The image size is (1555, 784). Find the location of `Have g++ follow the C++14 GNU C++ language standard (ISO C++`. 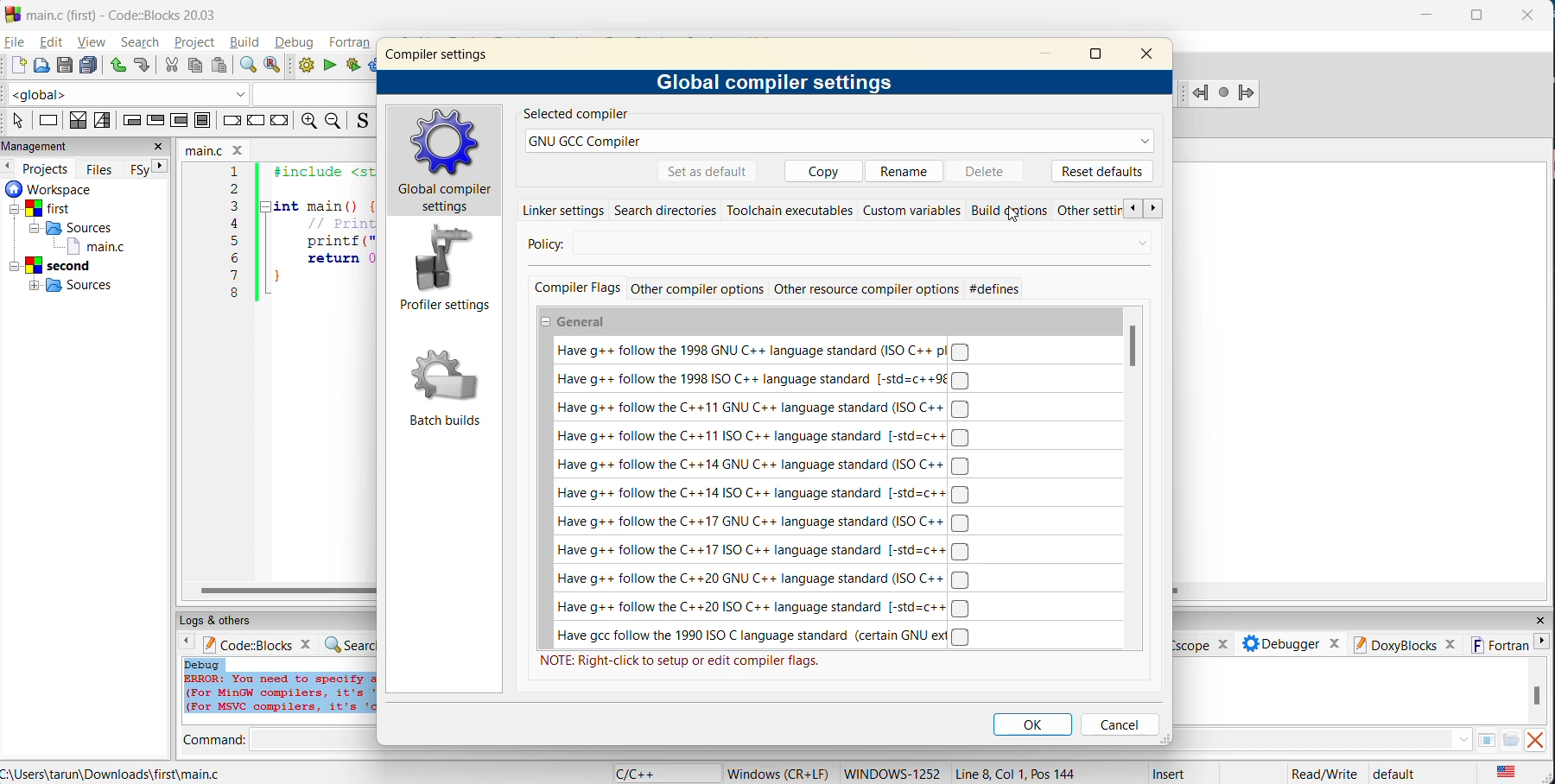

Have g++ follow the C++14 GNU C++ language standard (ISO C++ is located at coordinates (769, 465).